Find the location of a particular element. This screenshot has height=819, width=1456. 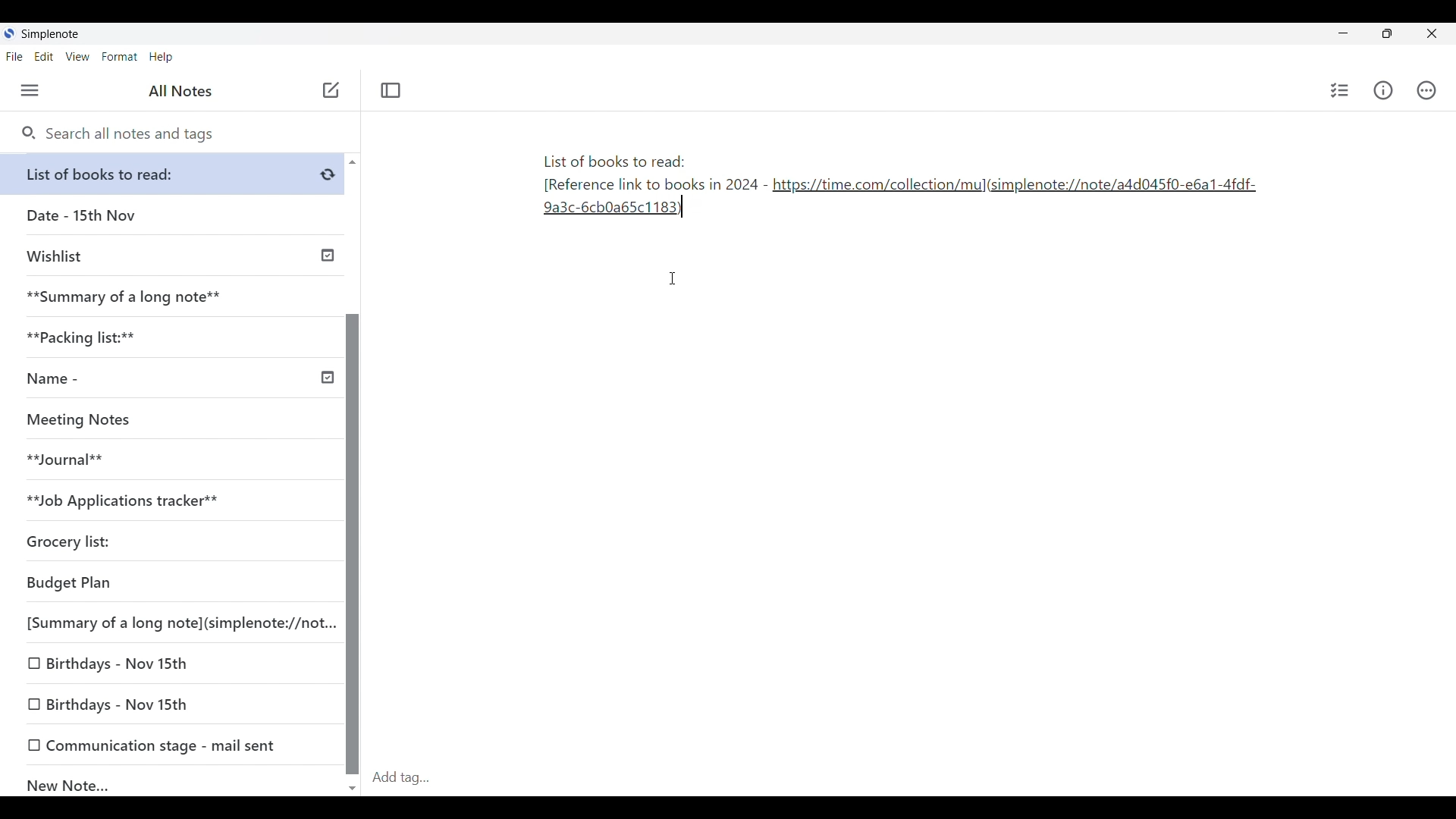

View is located at coordinates (78, 57).